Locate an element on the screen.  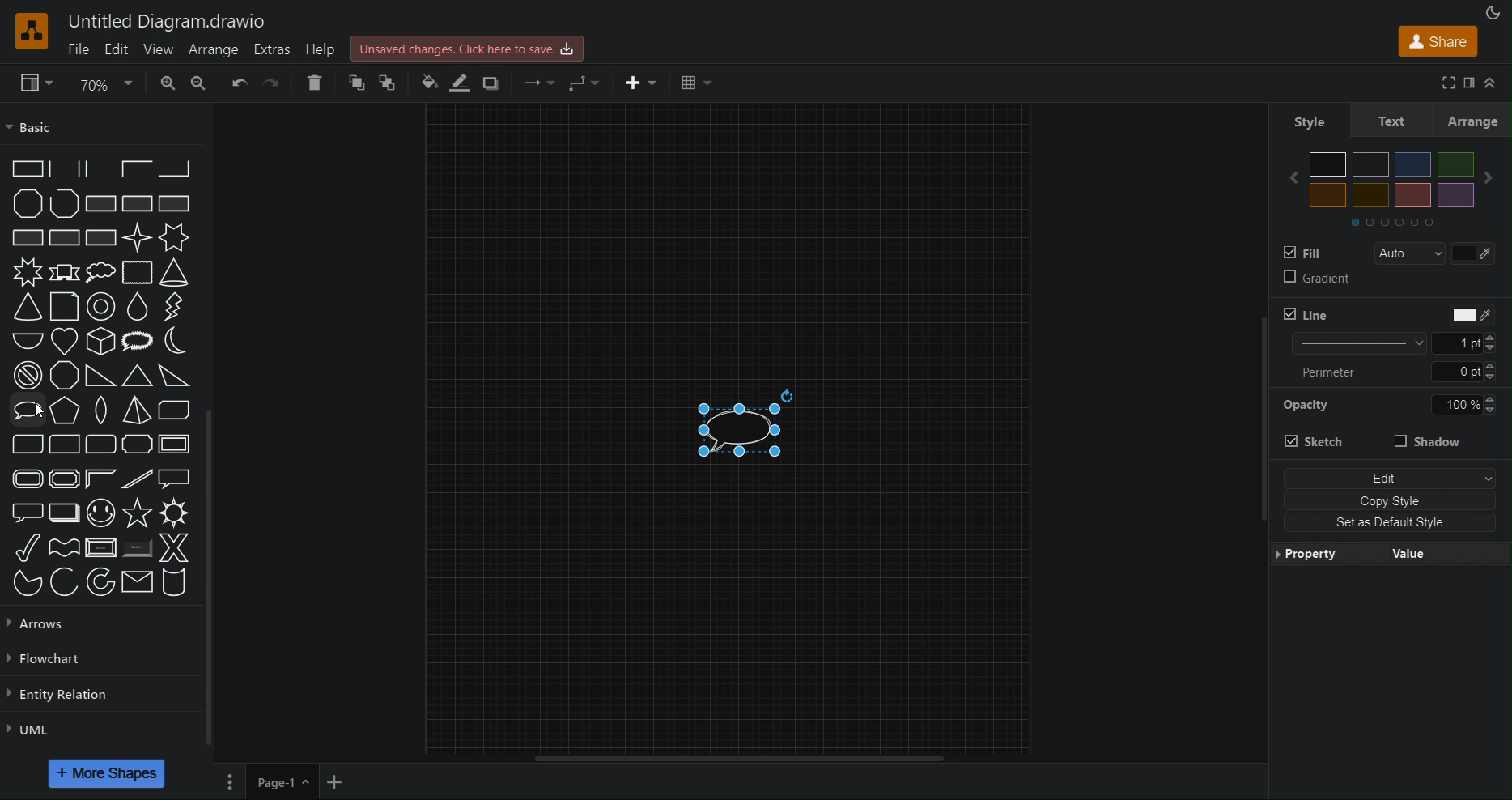
Diagnol Stripe is located at coordinates (137, 479).